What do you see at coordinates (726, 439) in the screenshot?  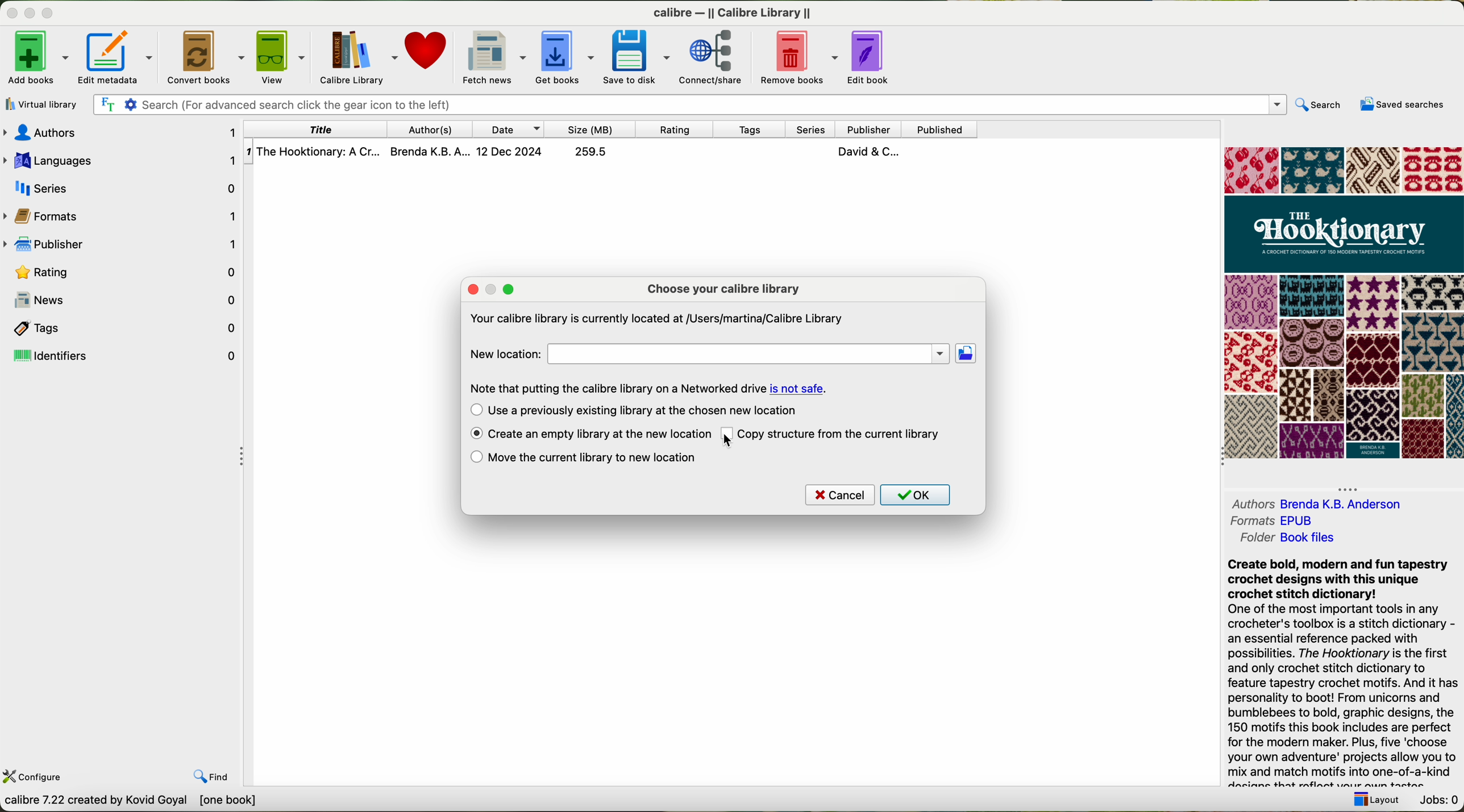 I see `cursor` at bounding box center [726, 439].